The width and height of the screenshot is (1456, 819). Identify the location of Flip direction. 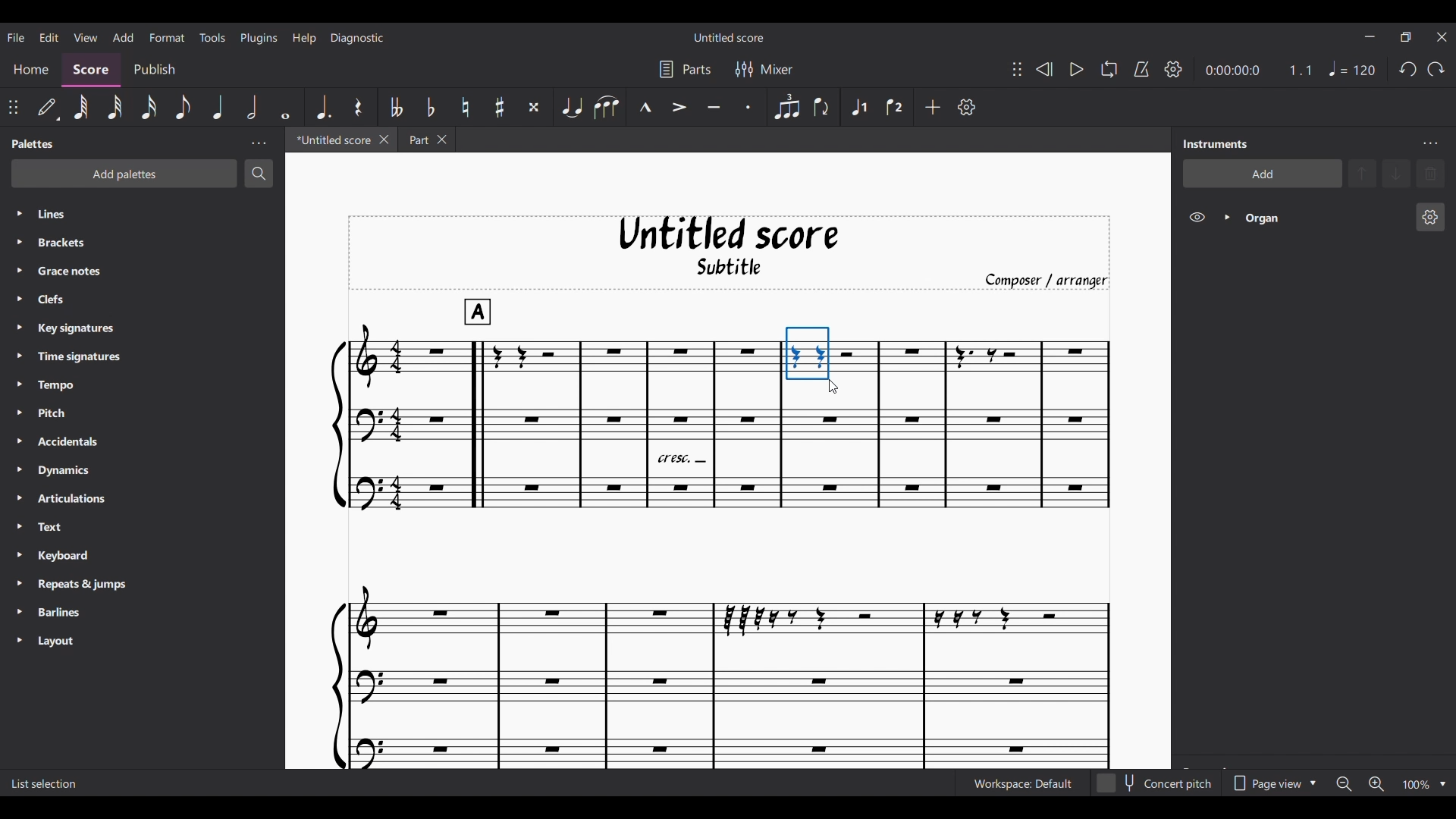
(821, 108).